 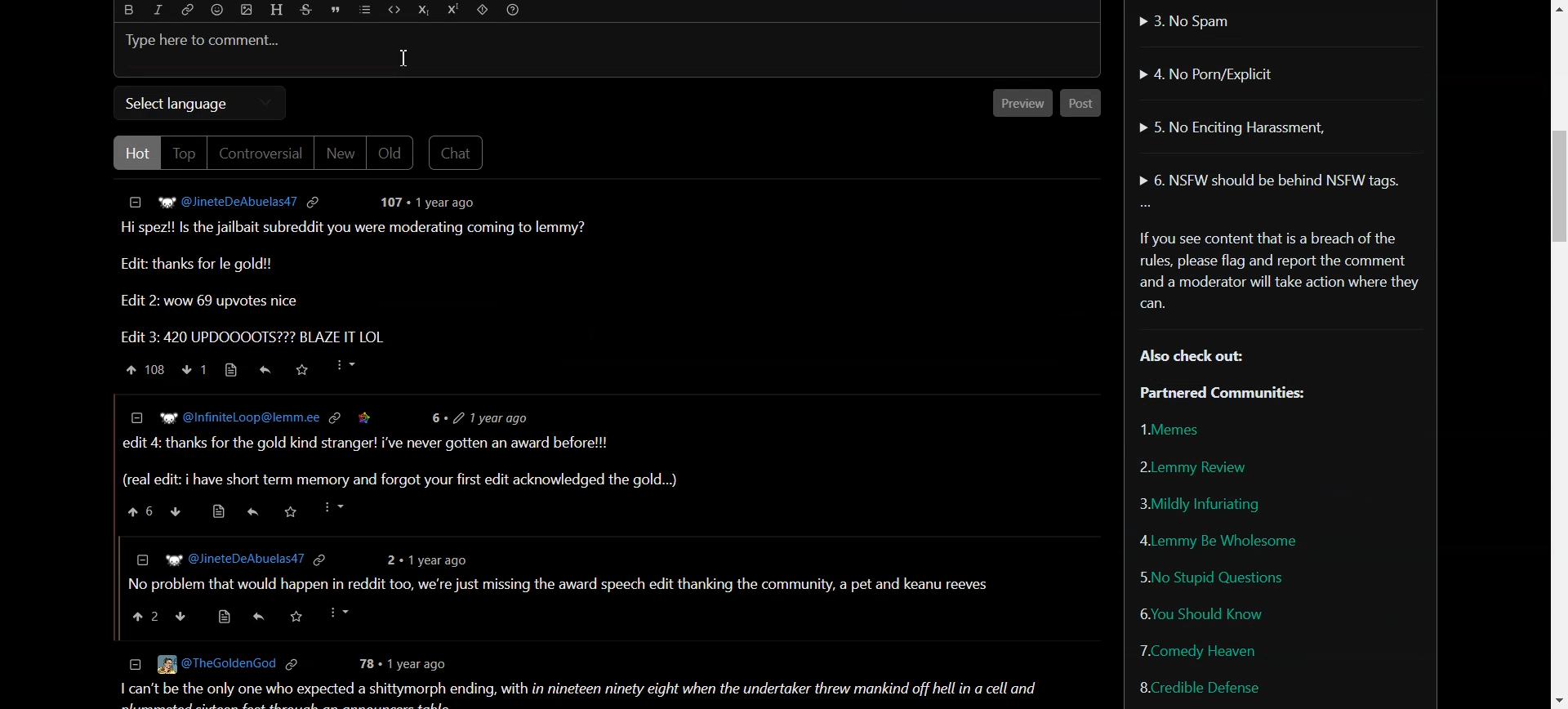 What do you see at coordinates (1271, 177) in the screenshot?
I see `NSFW should be behind NSFW tags` at bounding box center [1271, 177].